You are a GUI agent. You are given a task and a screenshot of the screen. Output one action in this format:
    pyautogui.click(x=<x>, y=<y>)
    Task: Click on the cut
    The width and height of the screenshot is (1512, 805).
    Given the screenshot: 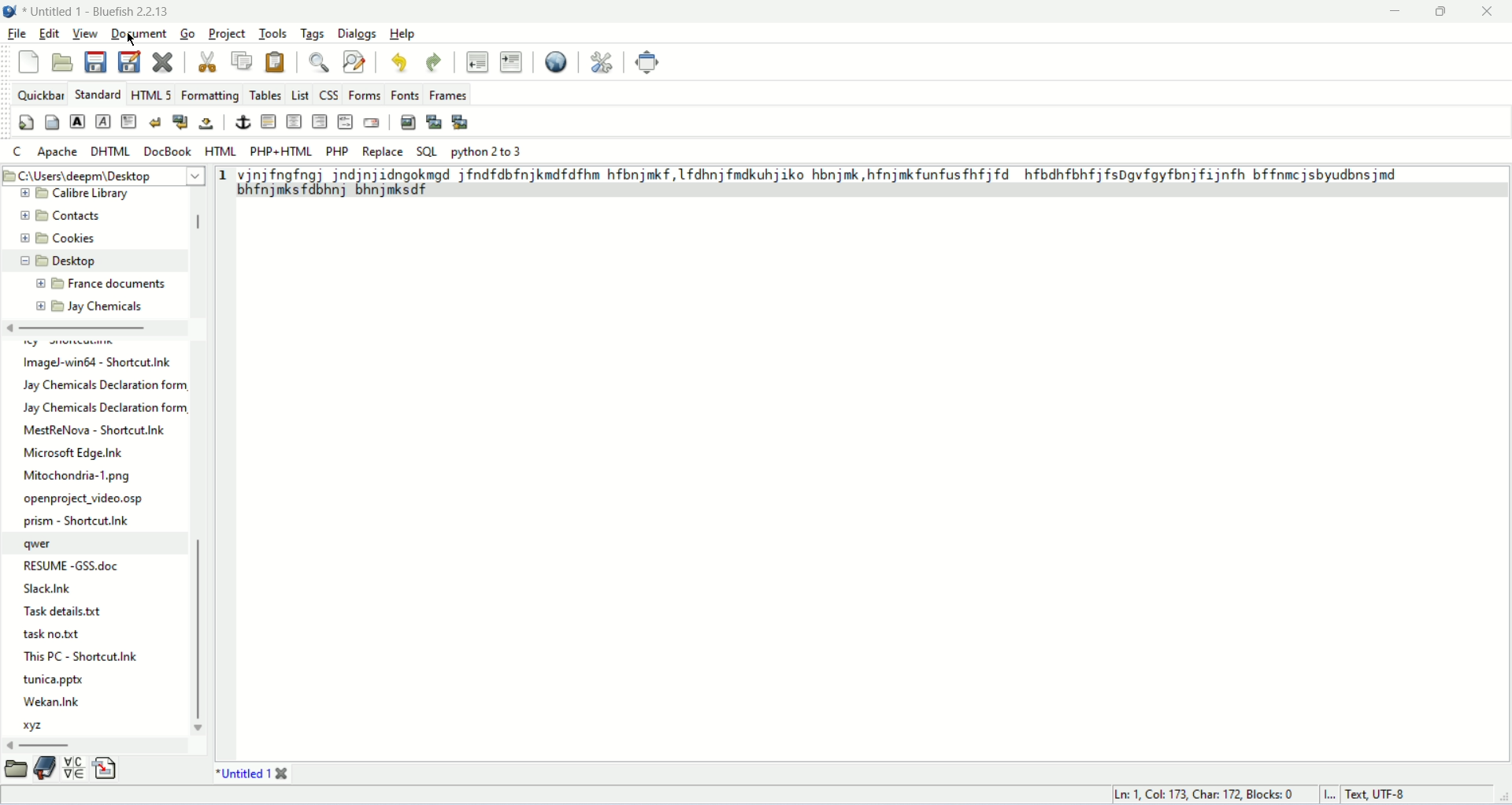 What is the action you would take?
    pyautogui.click(x=209, y=61)
    